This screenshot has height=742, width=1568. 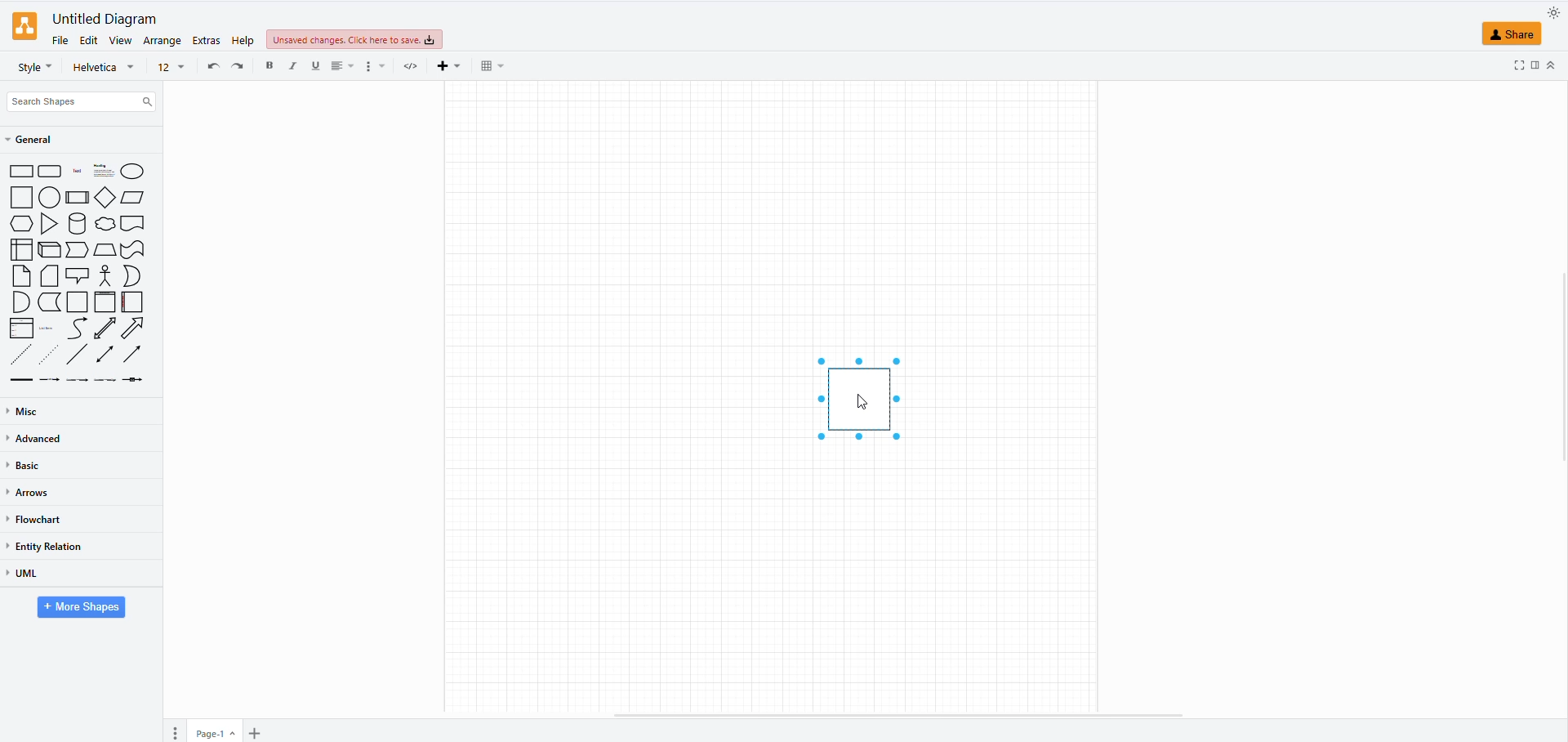 What do you see at coordinates (49, 251) in the screenshot?
I see `cube` at bounding box center [49, 251].